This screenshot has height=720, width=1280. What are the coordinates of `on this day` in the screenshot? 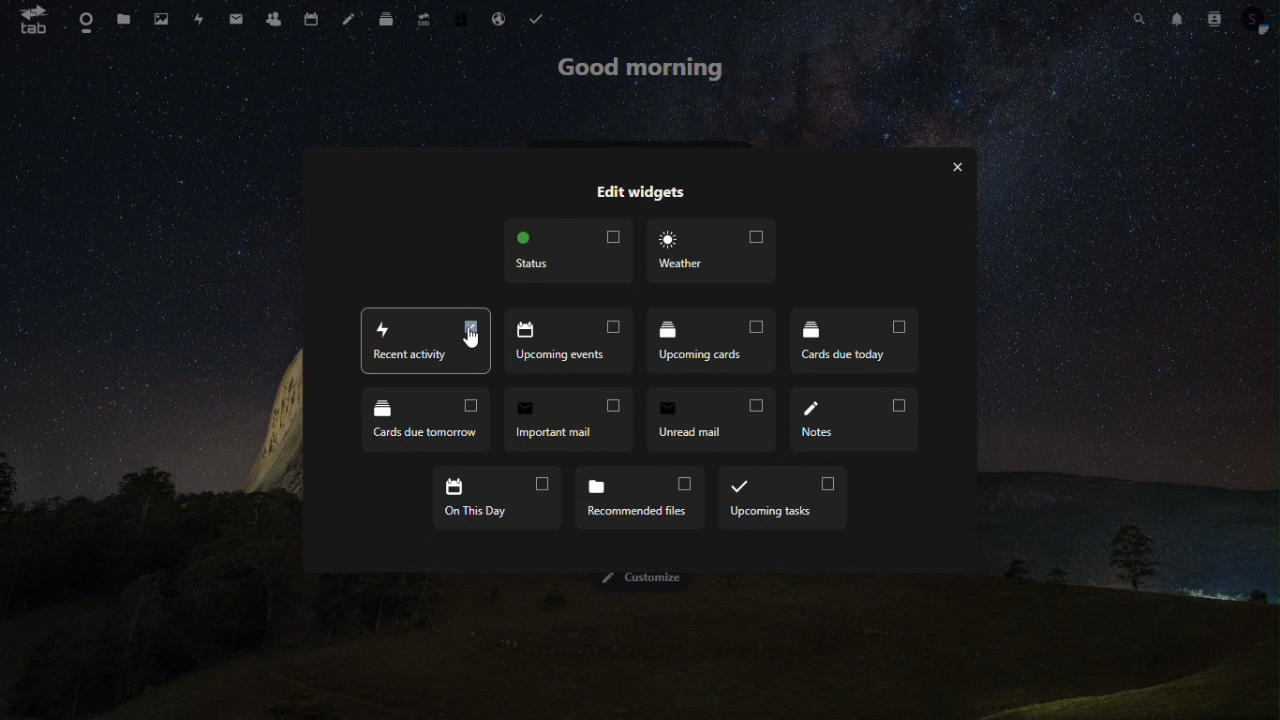 It's located at (495, 494).